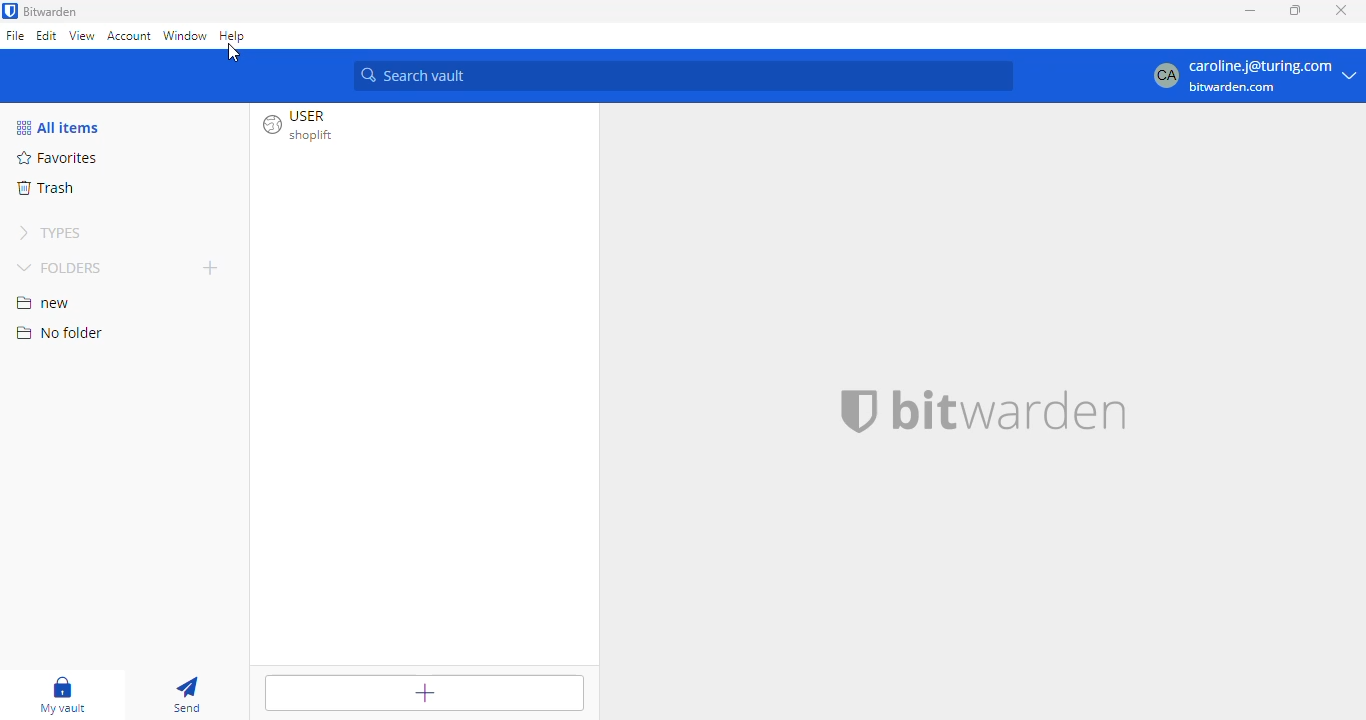 This screenshot has height=720, width=1366. What do you see at coordinates (684, 76) in the screenshot?
I see `search vault` at bounding box center [684, 76].